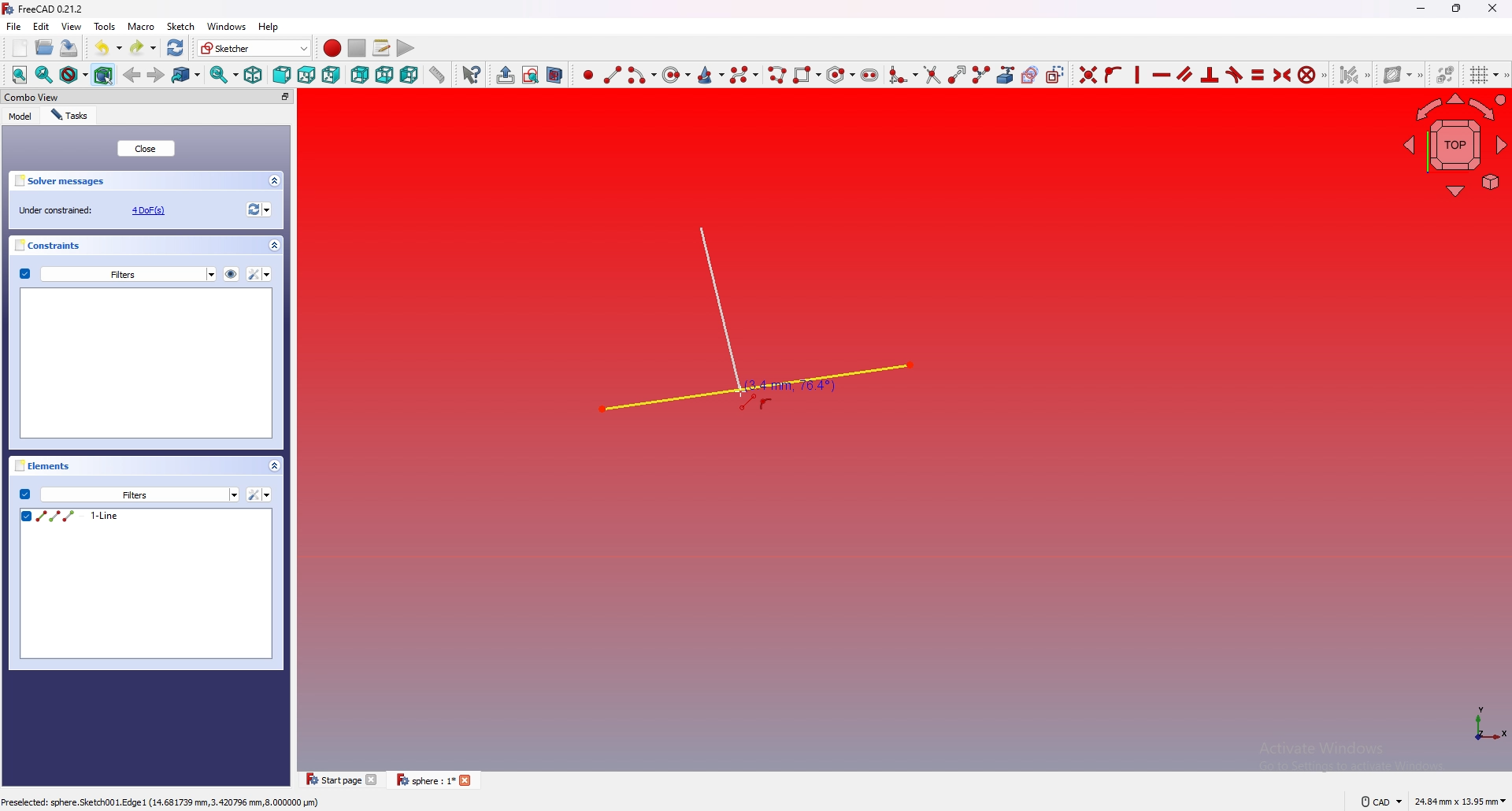 The height and width of the screenshot is (811, 1512). What do you see at coordinates (1056, 75) in the screenshot?
I see `Toggle construction geometry` at bounding box center [1056, 75].